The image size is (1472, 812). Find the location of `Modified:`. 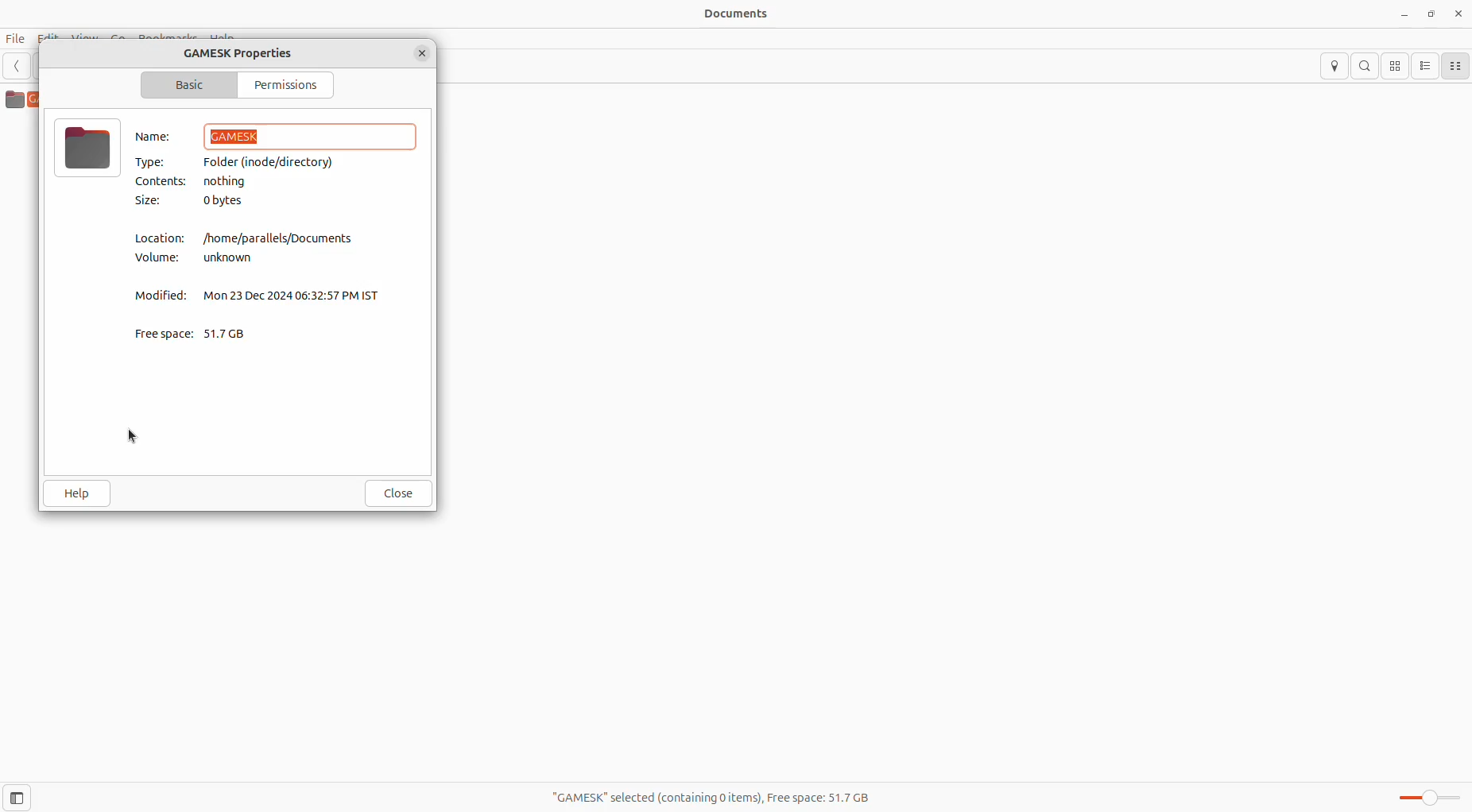

Modified: is located at coordinates (165, 296).